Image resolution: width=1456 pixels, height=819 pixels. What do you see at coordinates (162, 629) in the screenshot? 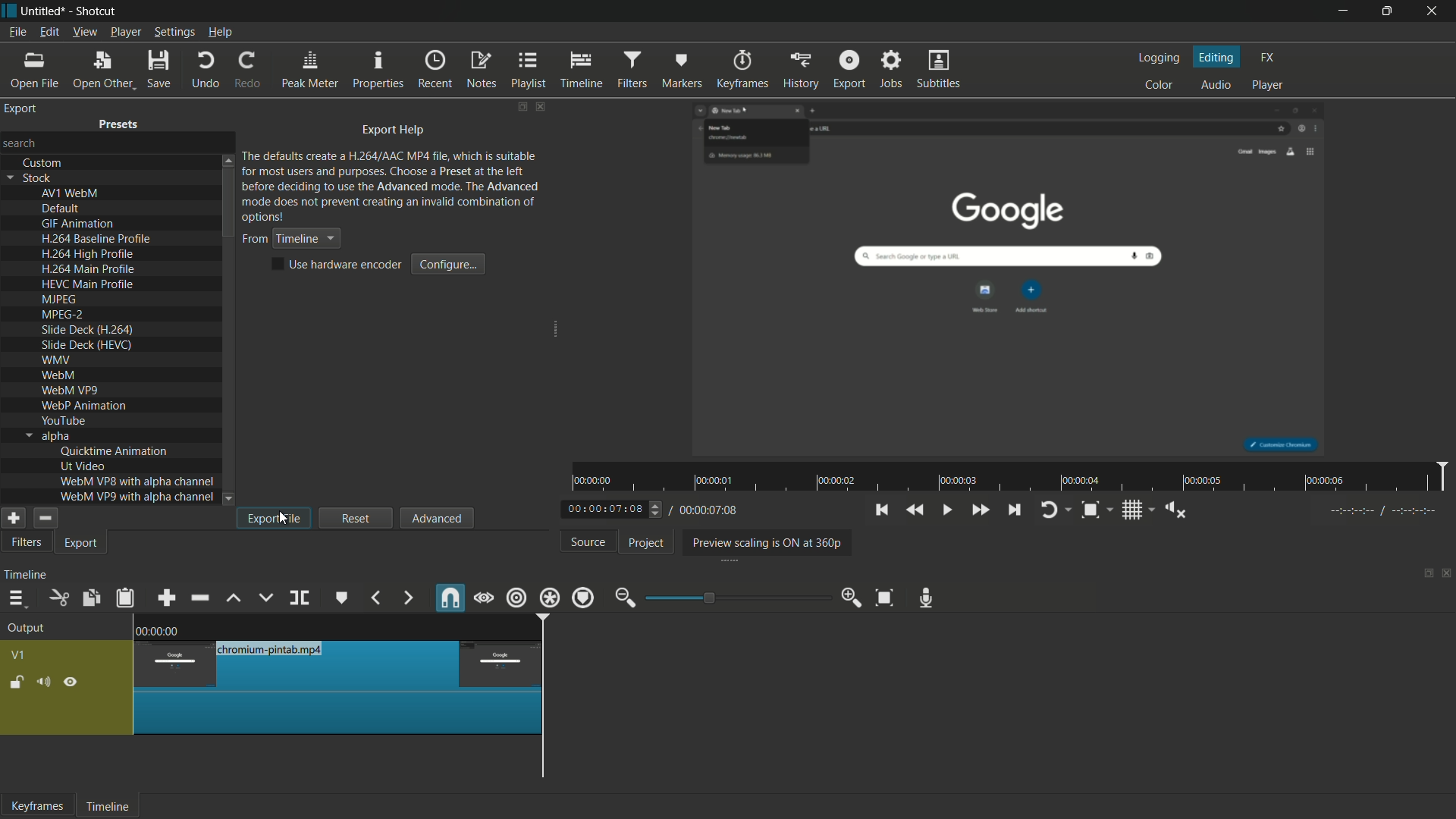
I see `0.00` at bounding box center [162, 629].